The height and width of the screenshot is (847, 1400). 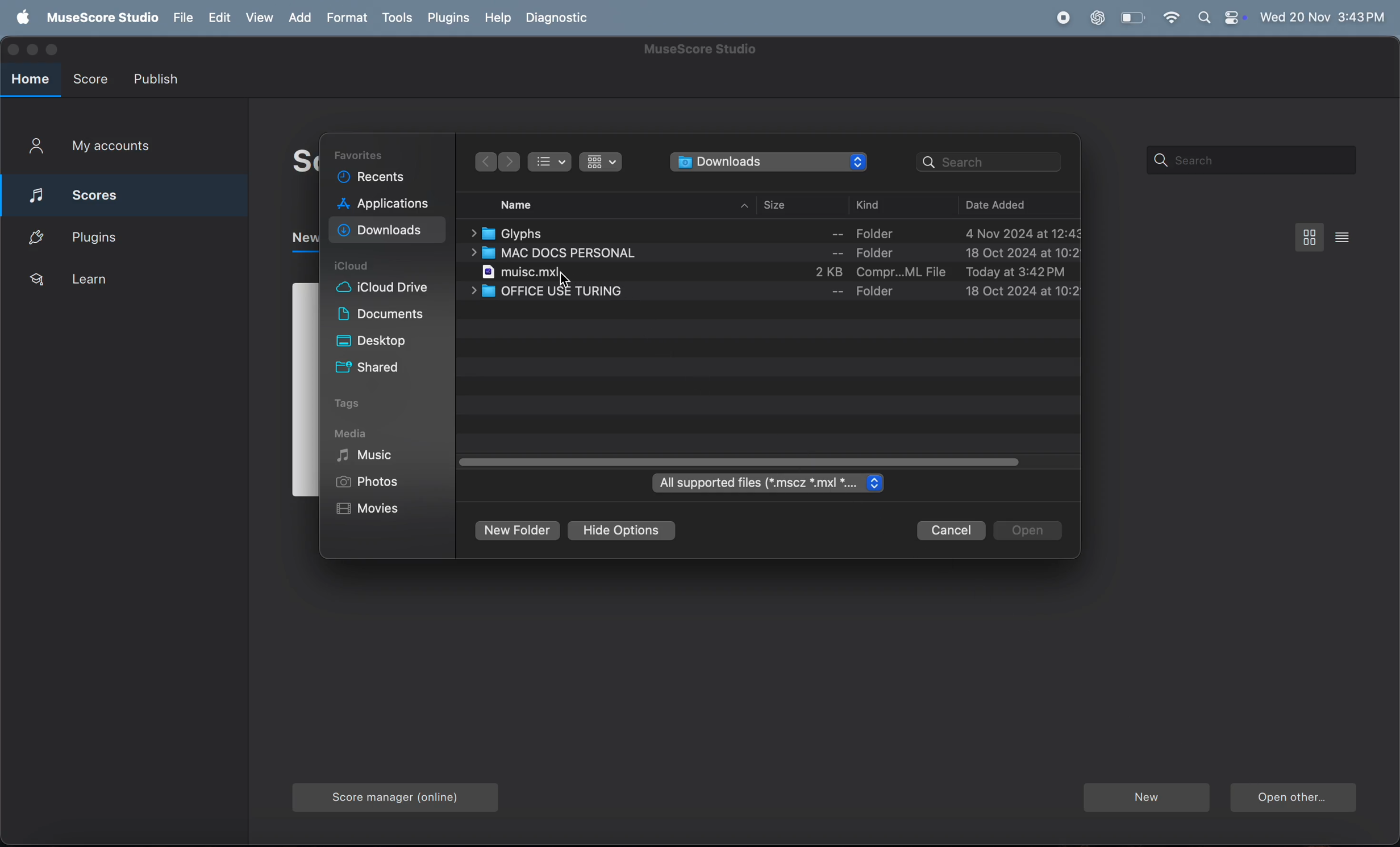 What do you see at coordinates (380, 509) in the screenshot?
I see `movies` at bounding box center [380, 509].